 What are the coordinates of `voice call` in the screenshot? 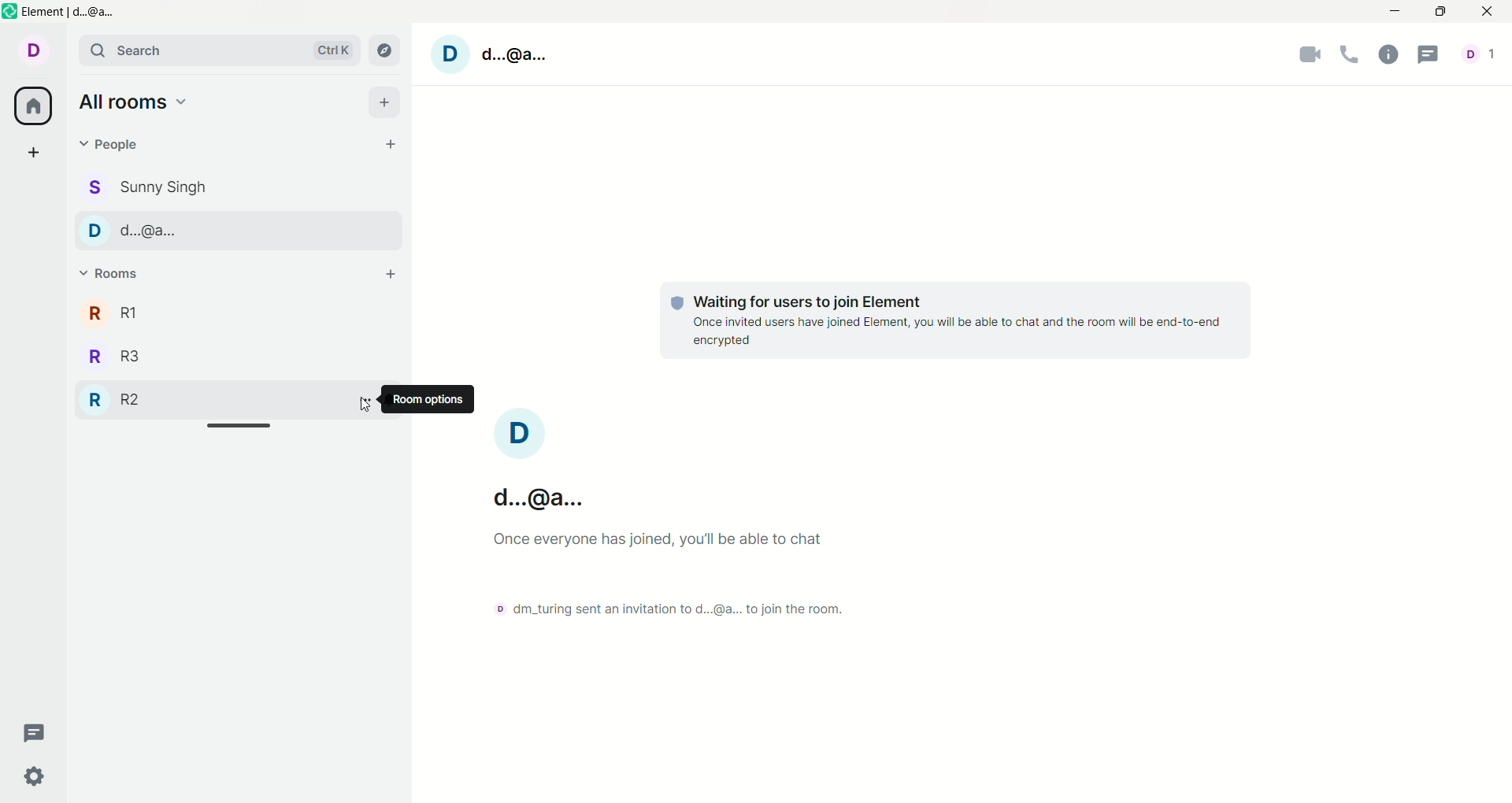 It's located at (1351, 56).